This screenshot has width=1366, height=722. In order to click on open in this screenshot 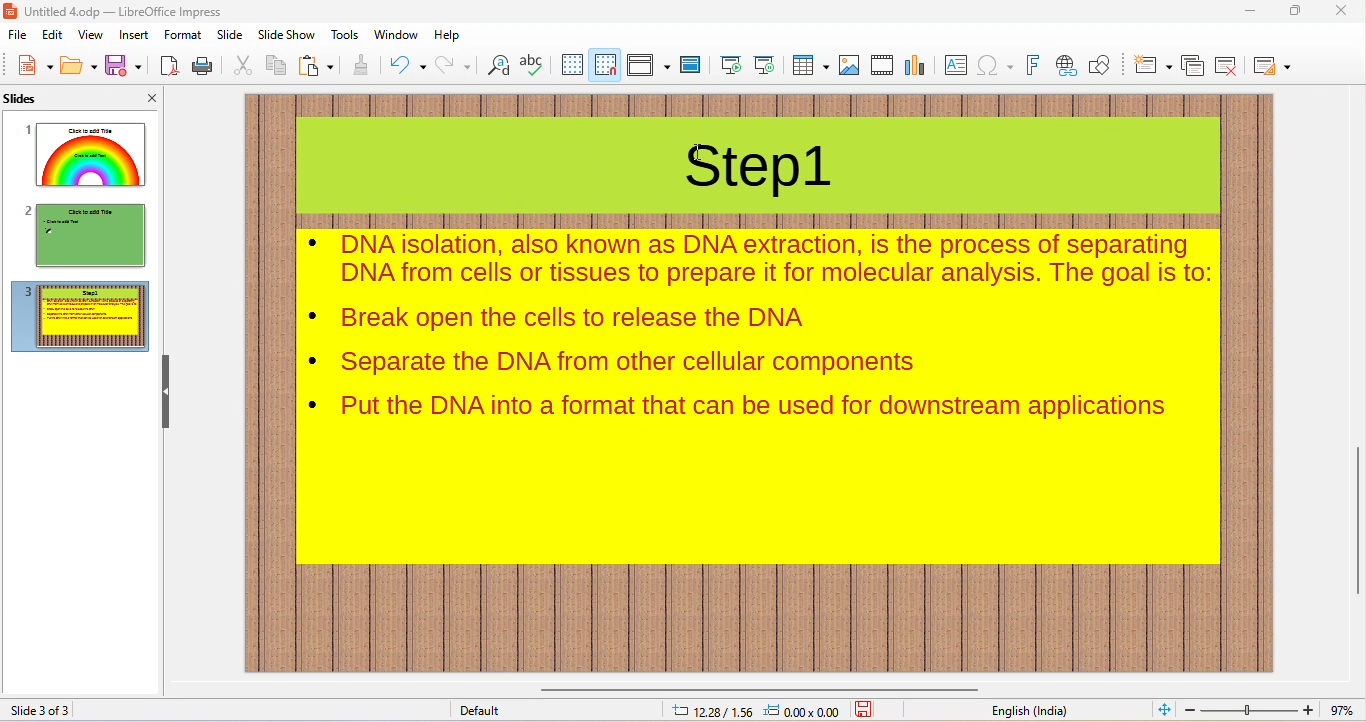, I will do `click(79, 66)`.